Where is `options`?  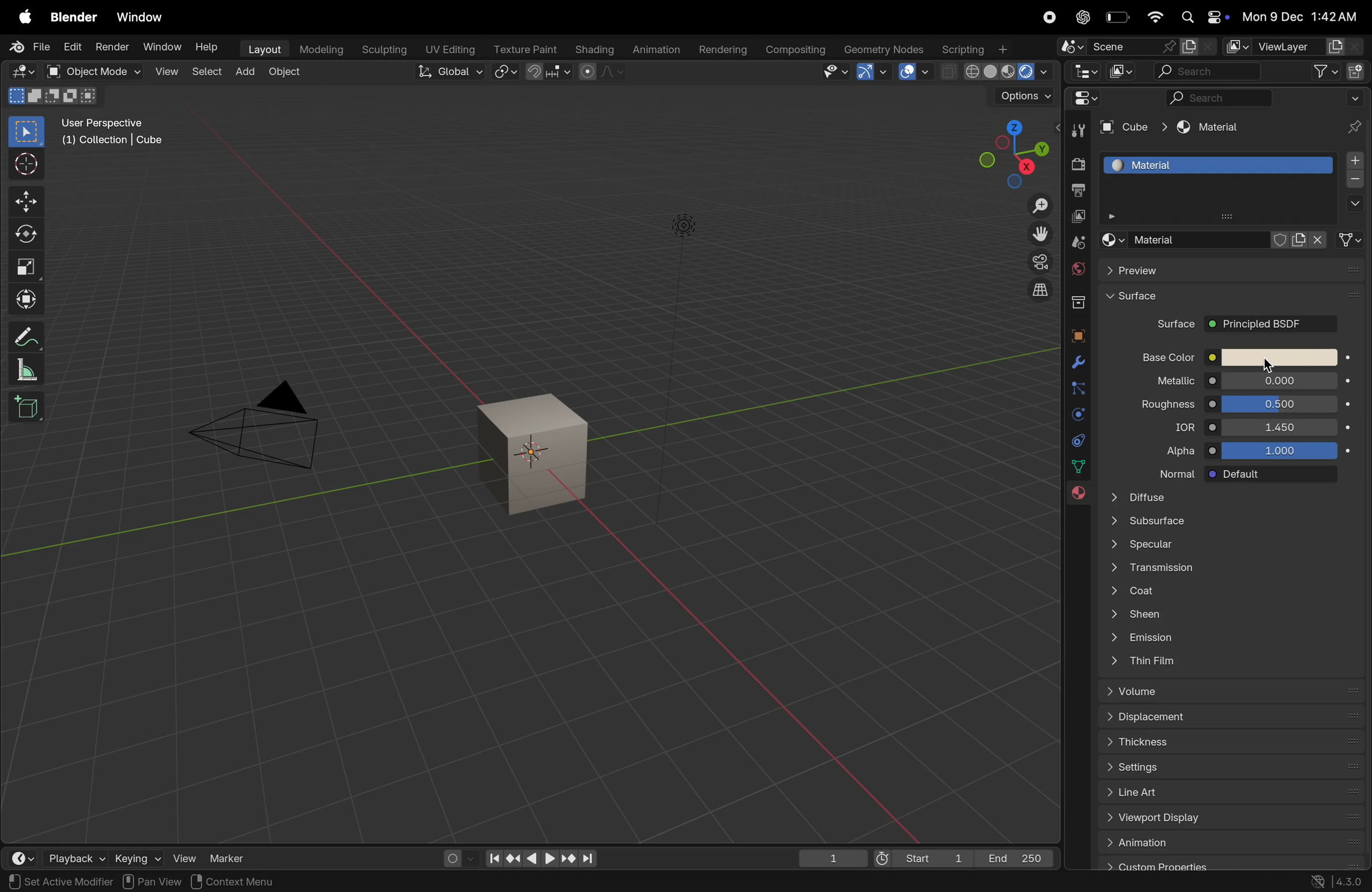
options is located at coordinates (1023, 97).